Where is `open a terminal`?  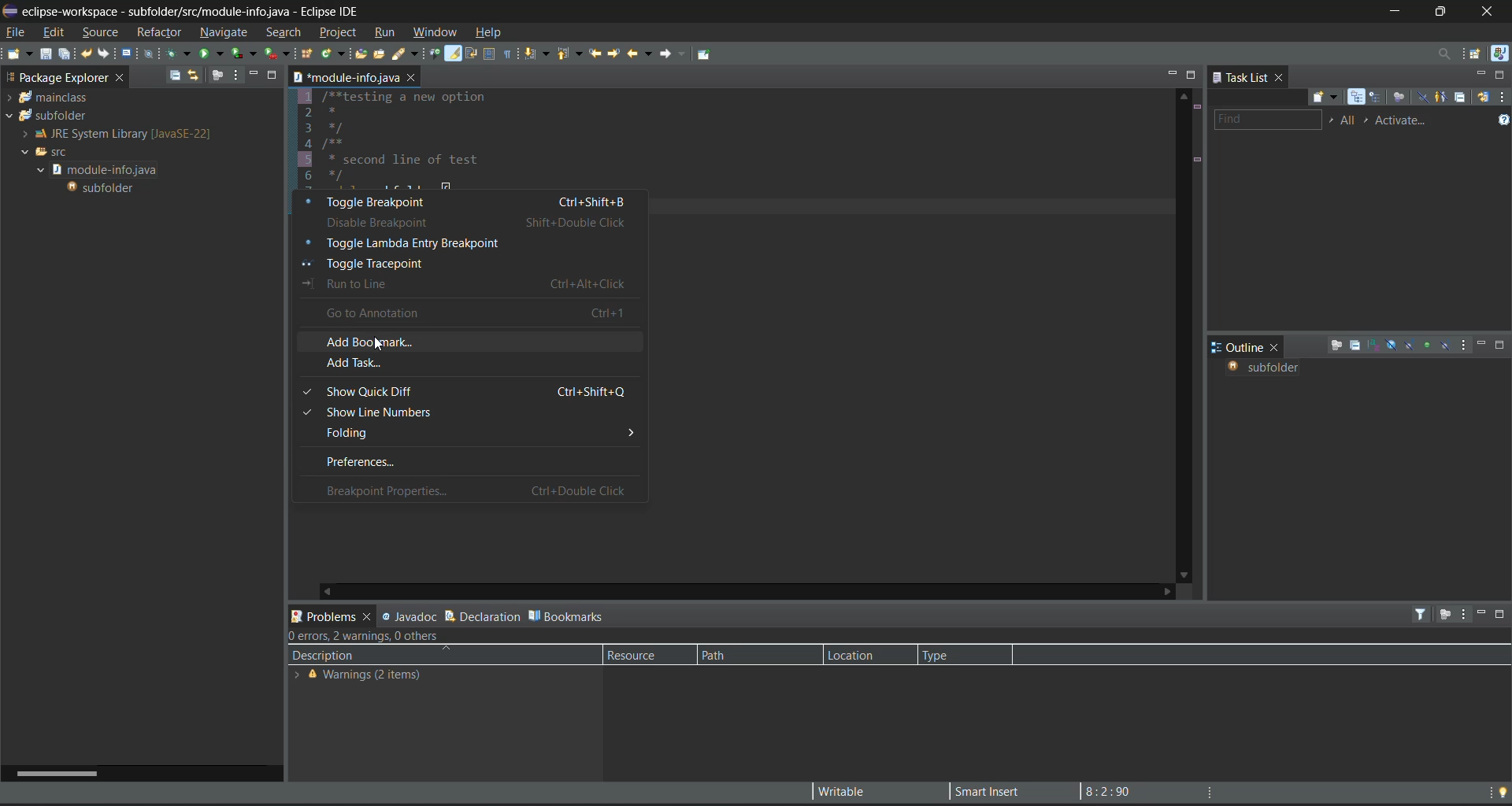
open a terminal is located at coordinates (128, 54).